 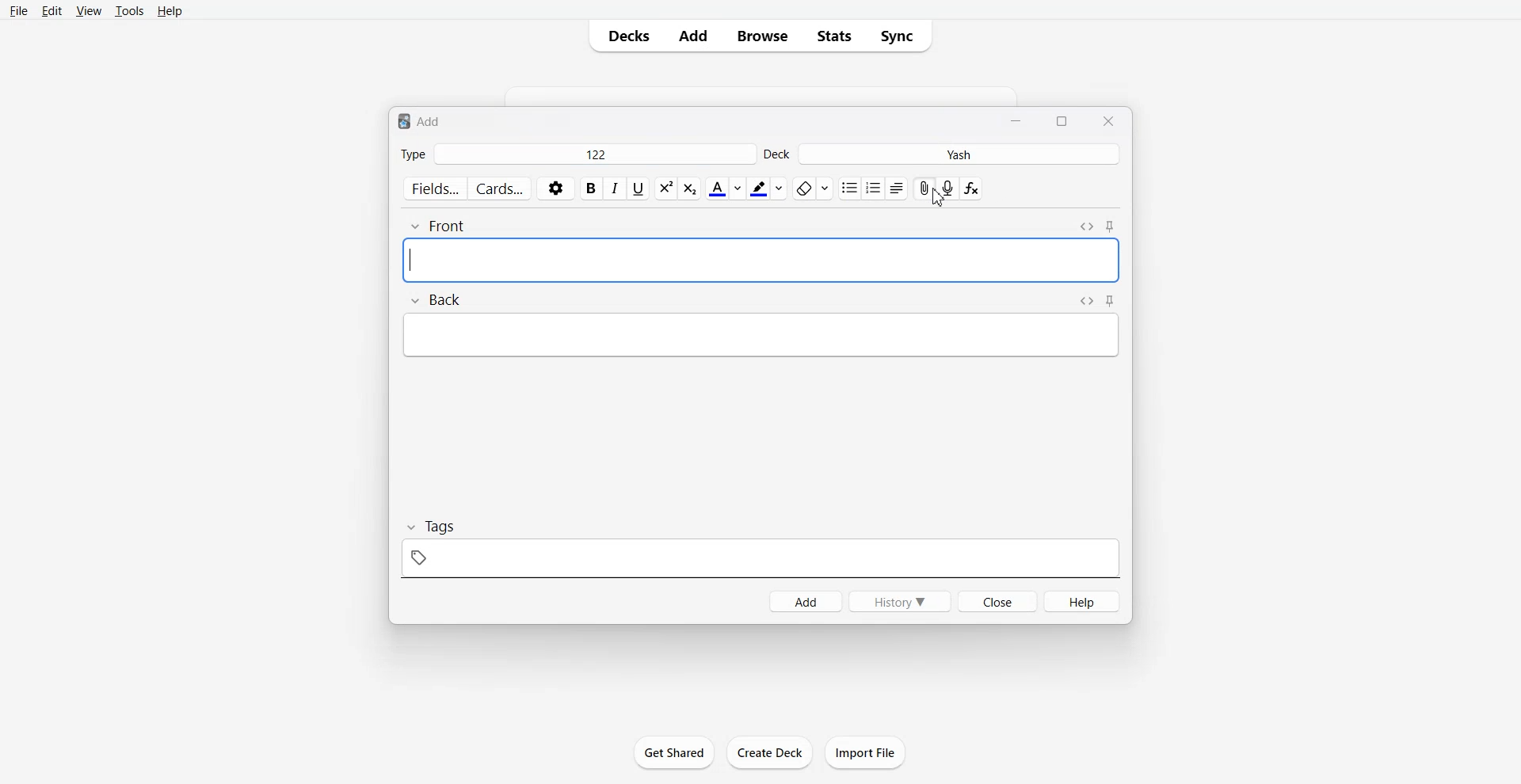 What do you see at coordinates (725, 188) in the screenshot?
I see `Text Color` at bounding box center [725, 188].